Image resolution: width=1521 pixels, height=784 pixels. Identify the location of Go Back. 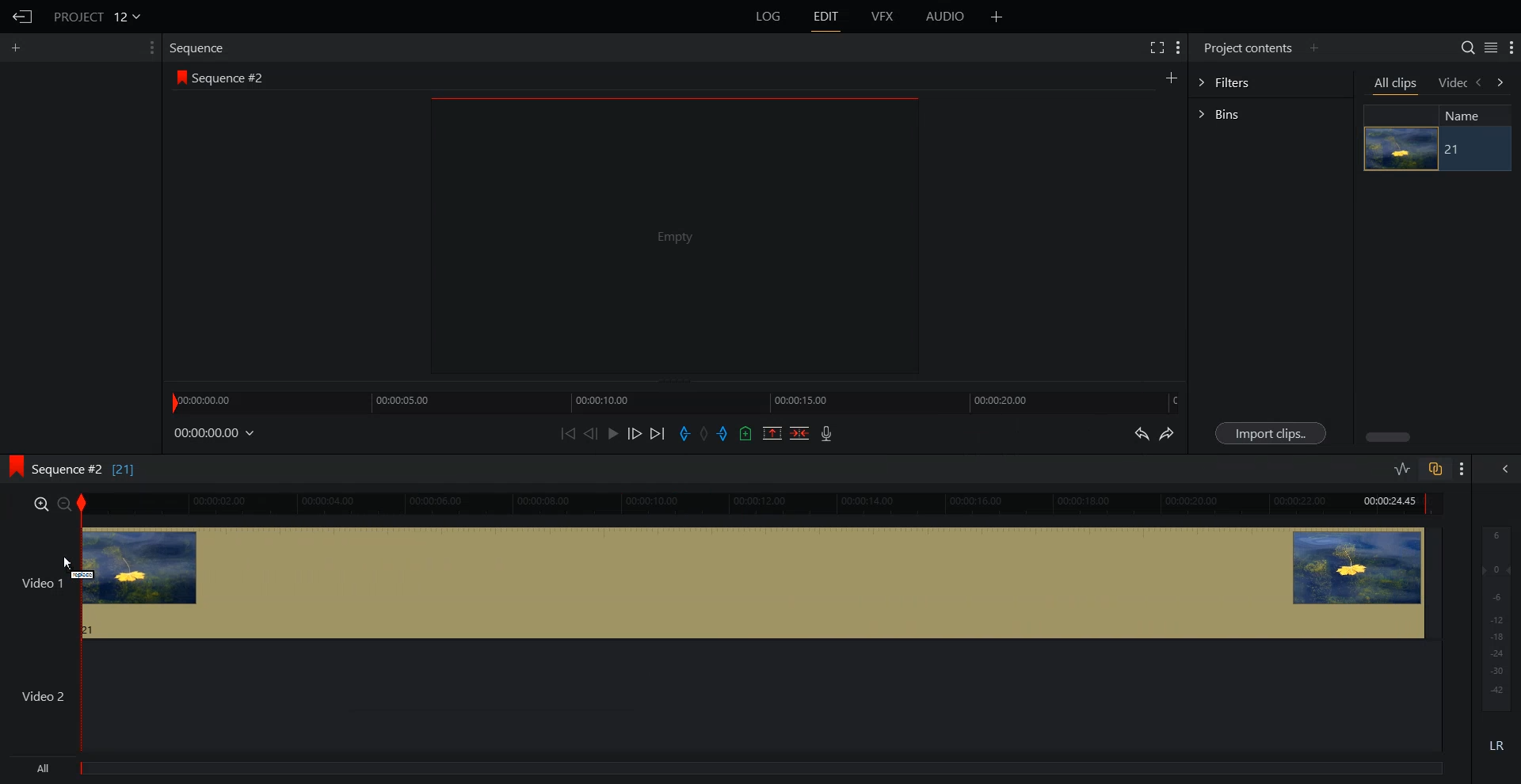
(24, 17).